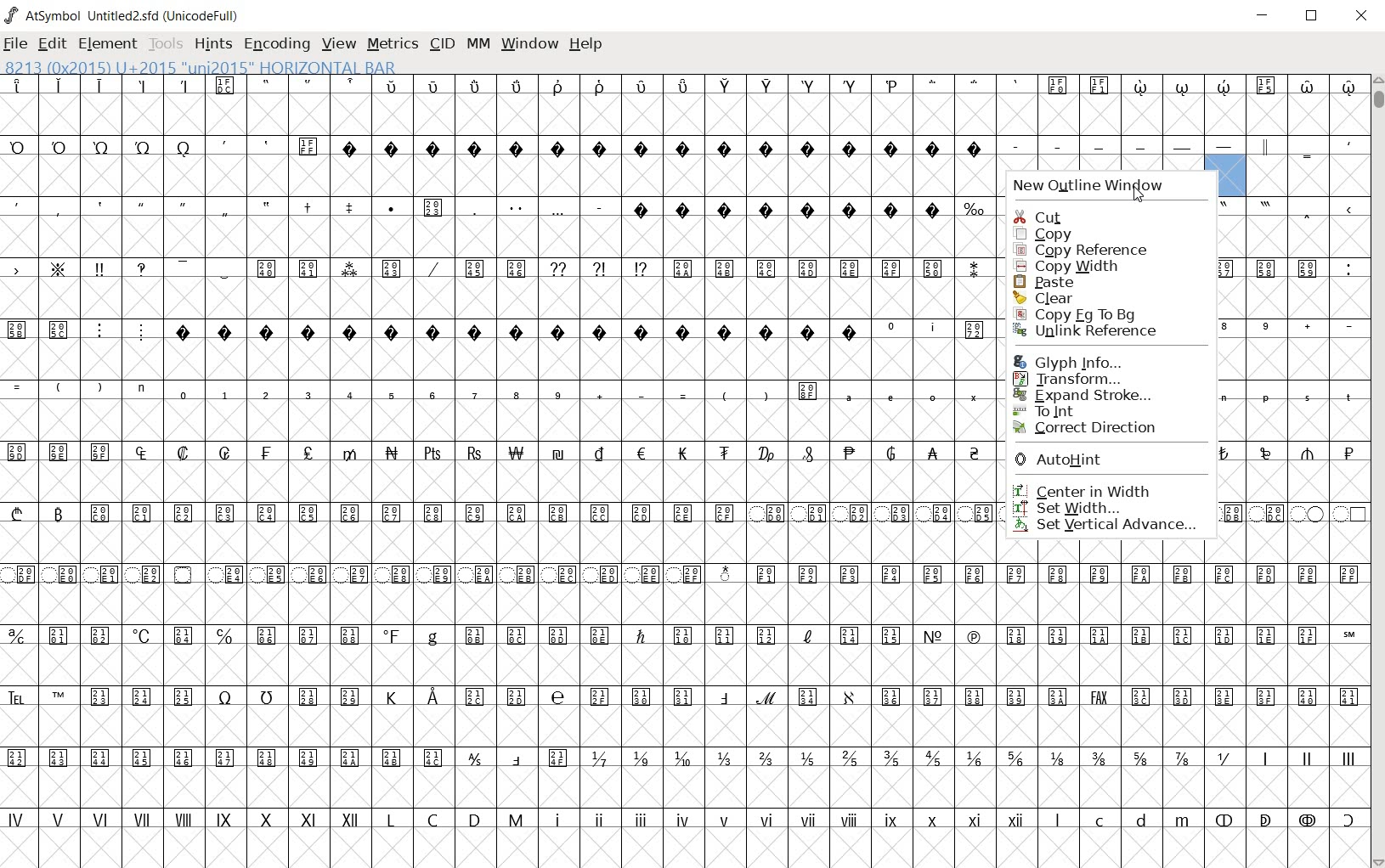  I want to click on EDIT, so click(52, 43).